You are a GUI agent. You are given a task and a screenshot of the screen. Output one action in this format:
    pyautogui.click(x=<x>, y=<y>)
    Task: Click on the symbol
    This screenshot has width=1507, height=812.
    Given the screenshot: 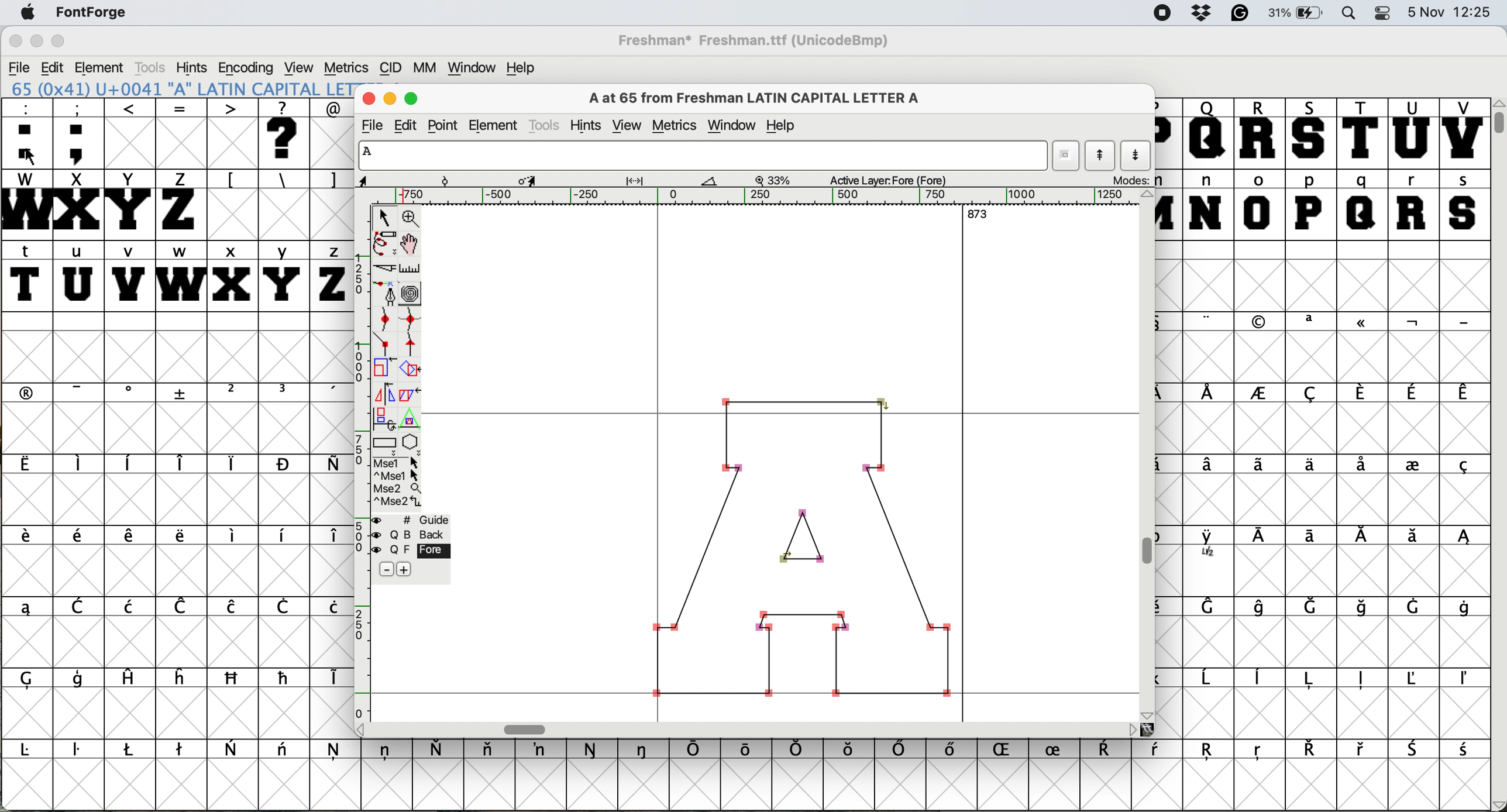 What is the action you would take?
    pyautogui.click(x=1312, y=322)
    